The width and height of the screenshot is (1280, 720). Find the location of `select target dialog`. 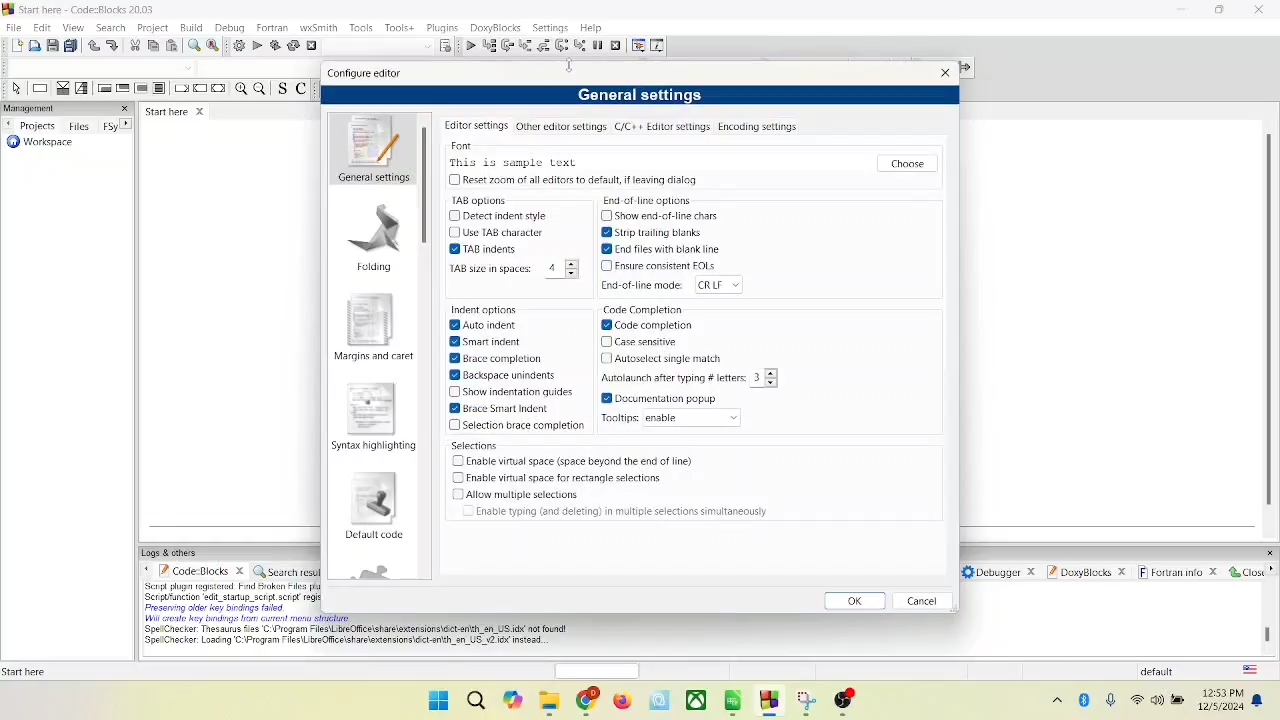

select target dialog is located at coordinates (445, 47).